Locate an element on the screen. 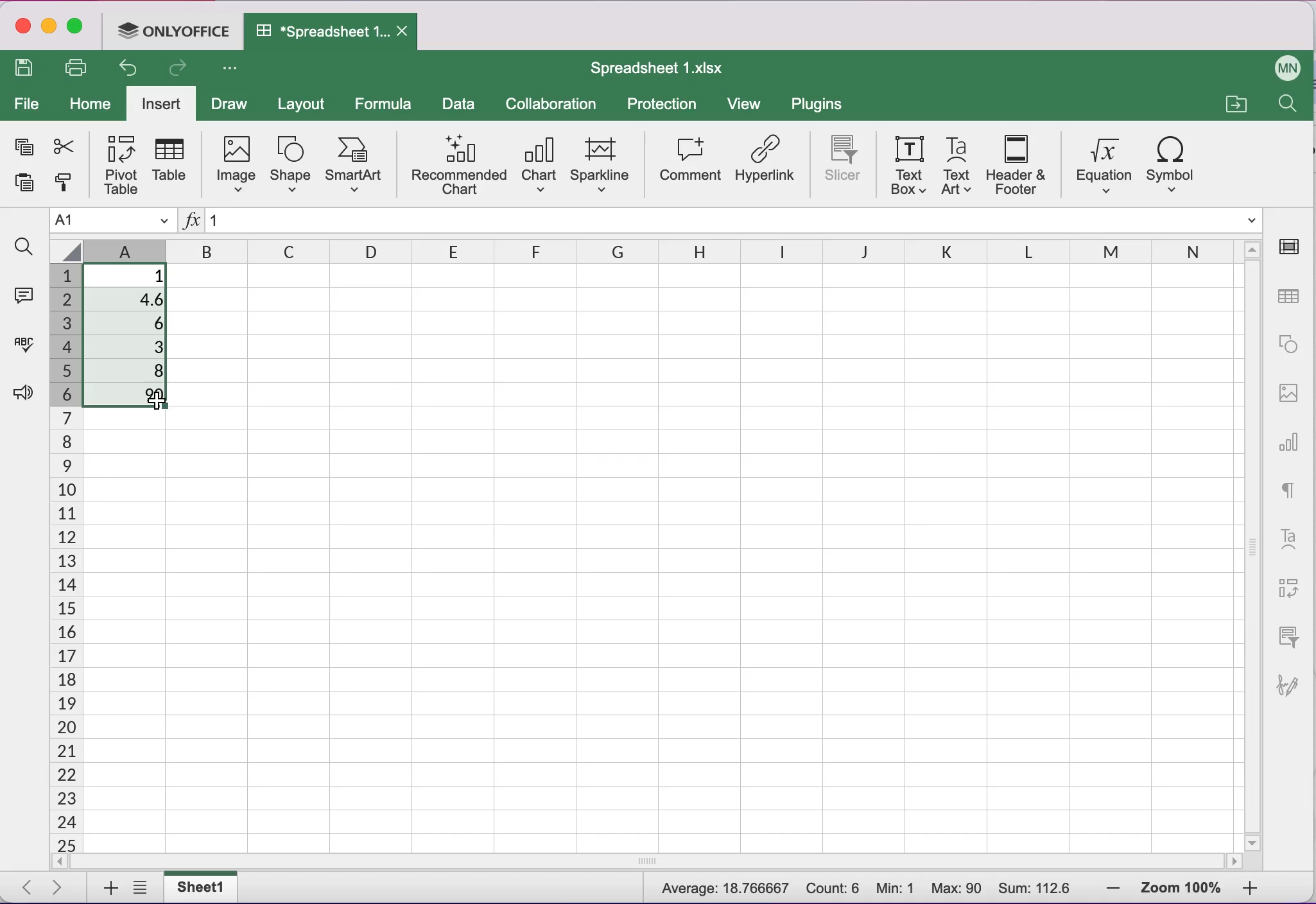 The image size is (1316, 904). symbol is located at coordinates (1175, 164).